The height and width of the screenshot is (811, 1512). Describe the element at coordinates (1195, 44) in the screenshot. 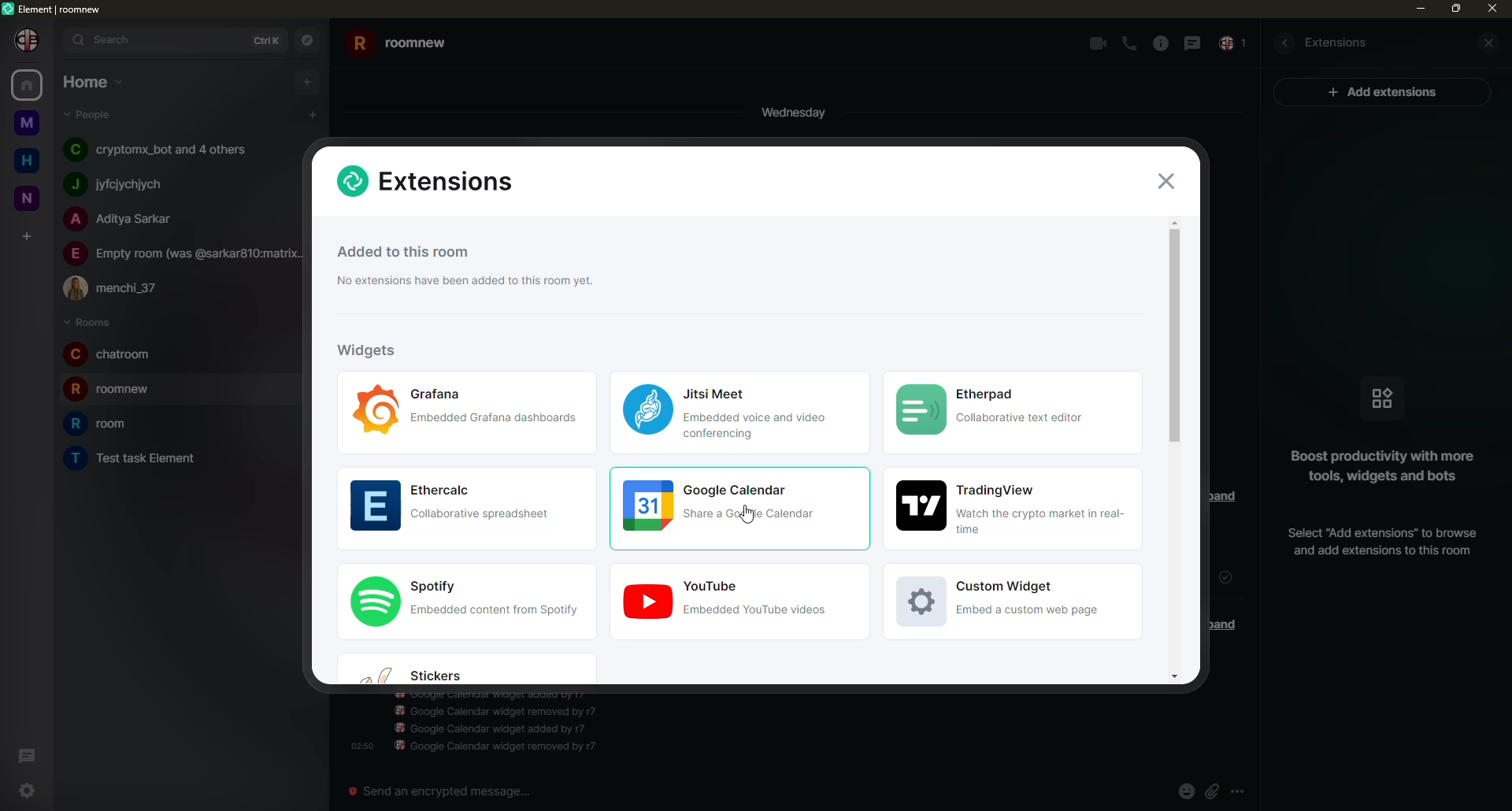

I see `message` at that location.